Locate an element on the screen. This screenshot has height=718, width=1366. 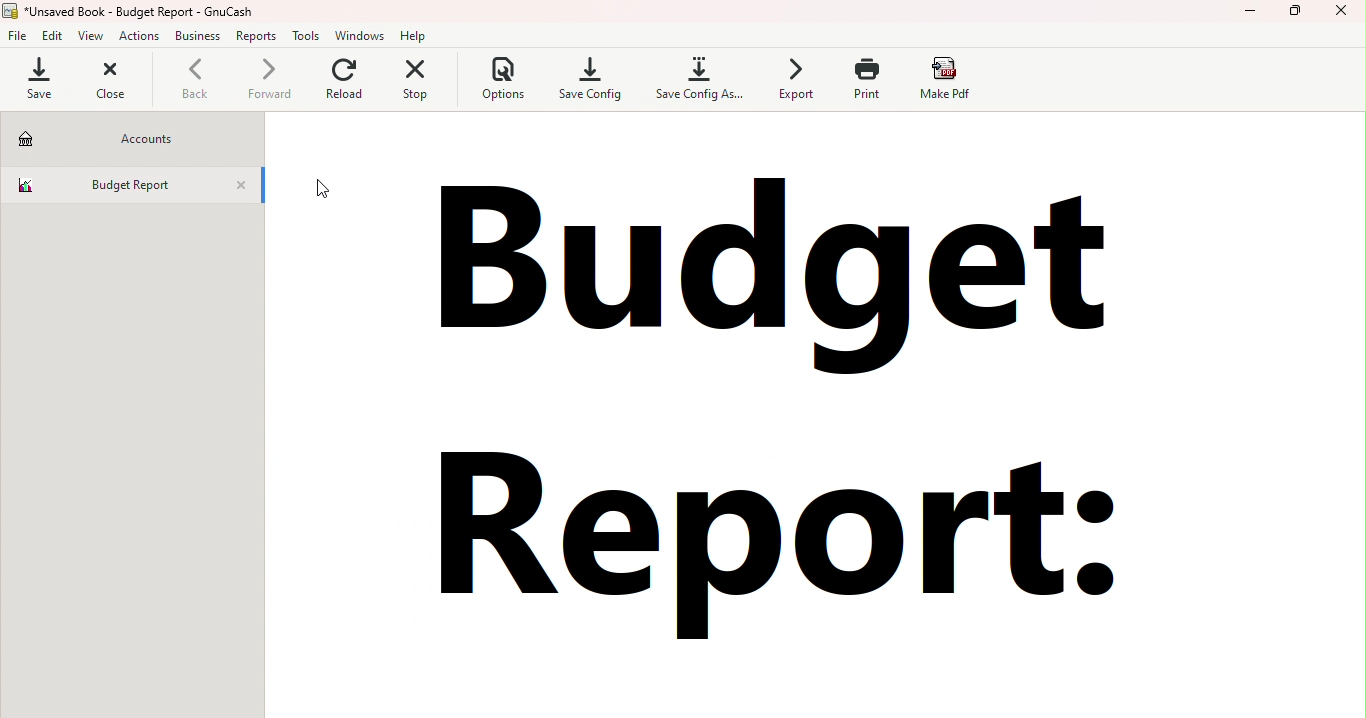
Budget report is located at coordinates (115, 182).